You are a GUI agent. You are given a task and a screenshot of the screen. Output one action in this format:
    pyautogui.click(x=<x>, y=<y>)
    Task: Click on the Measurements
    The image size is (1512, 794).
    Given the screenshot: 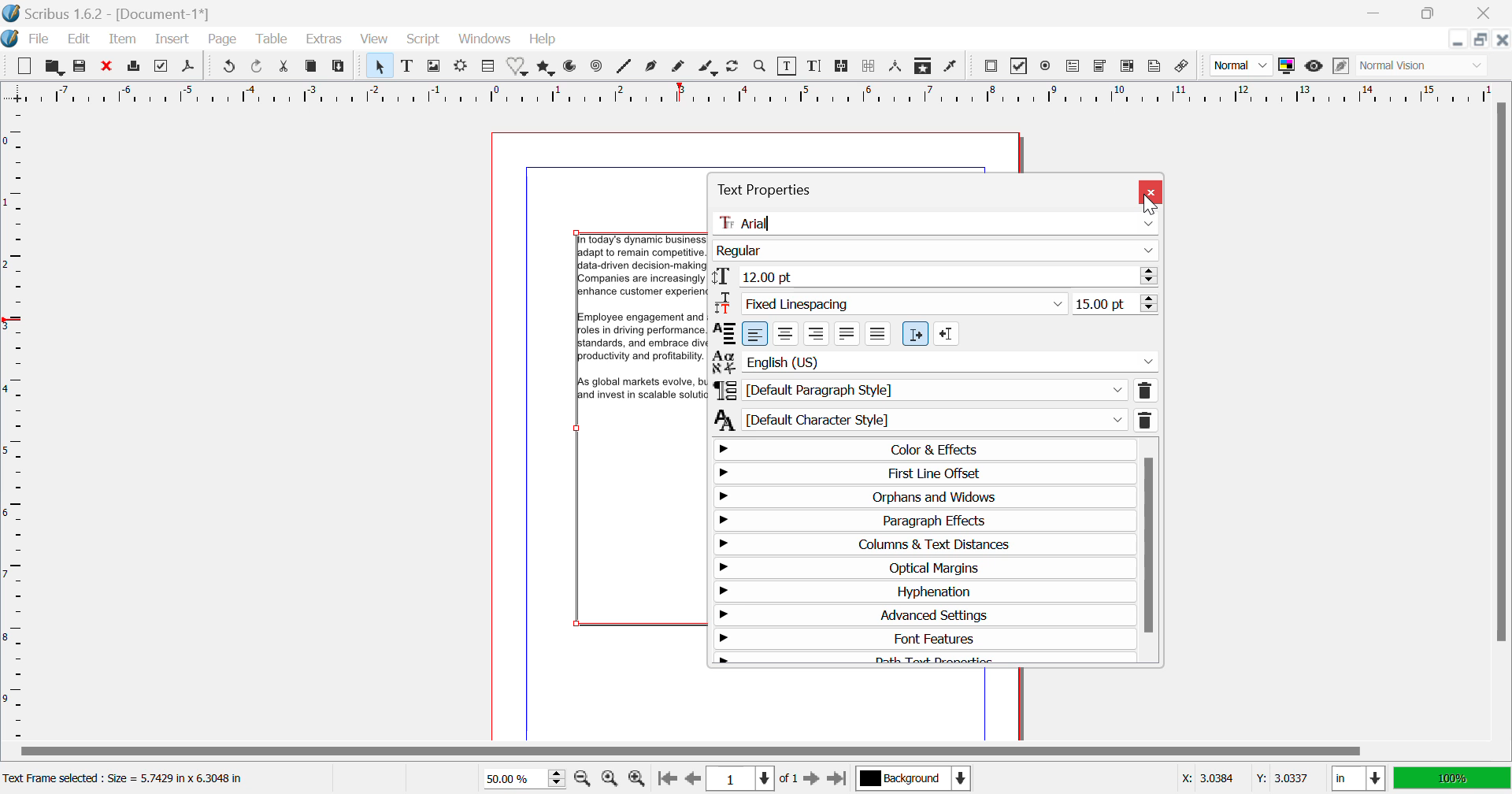 What is the action you would take?
    pyautogui.click(x=898, y=68)
    